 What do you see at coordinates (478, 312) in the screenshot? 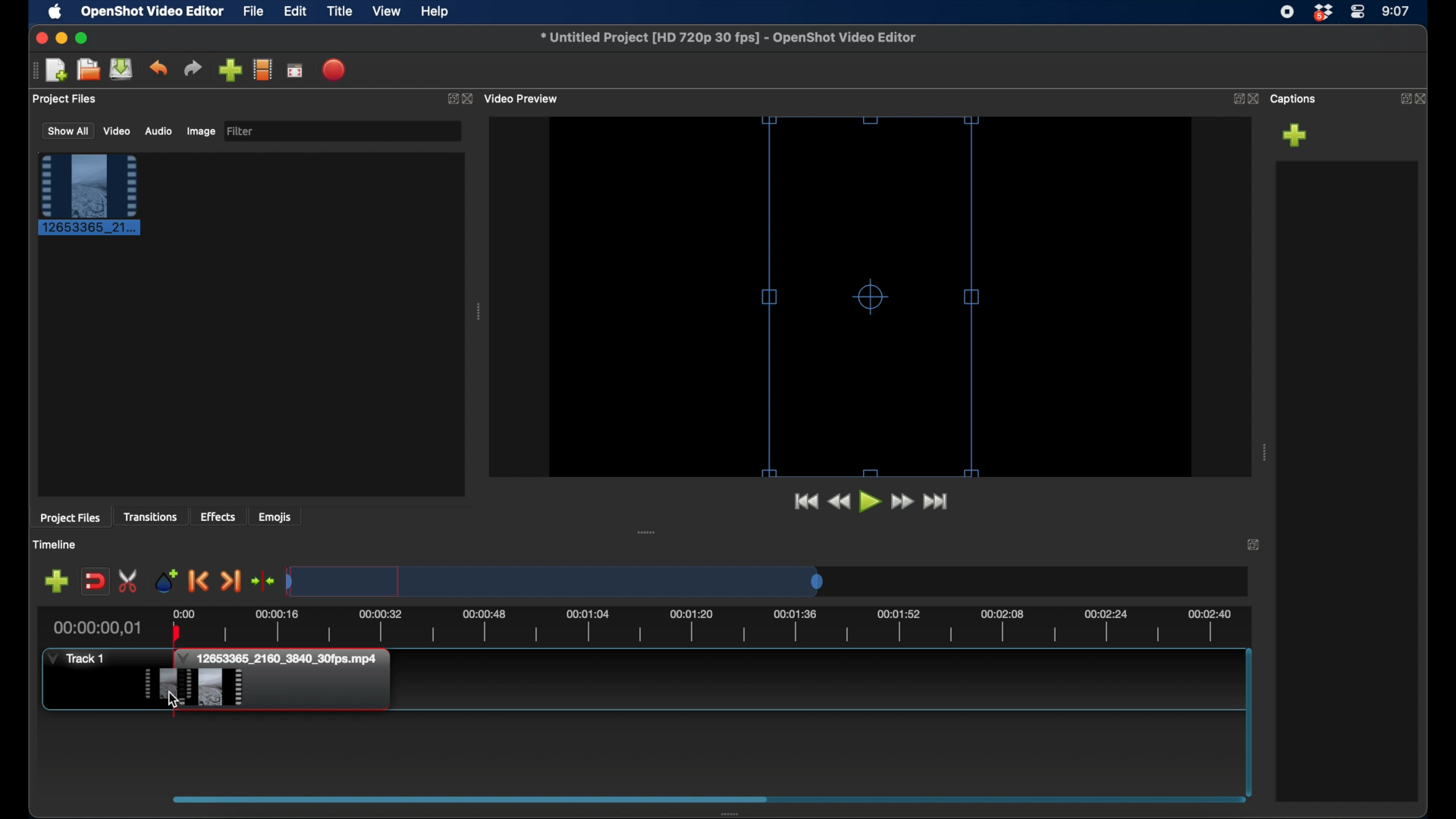
I see `drag handle` at bounding box center [478, 312].